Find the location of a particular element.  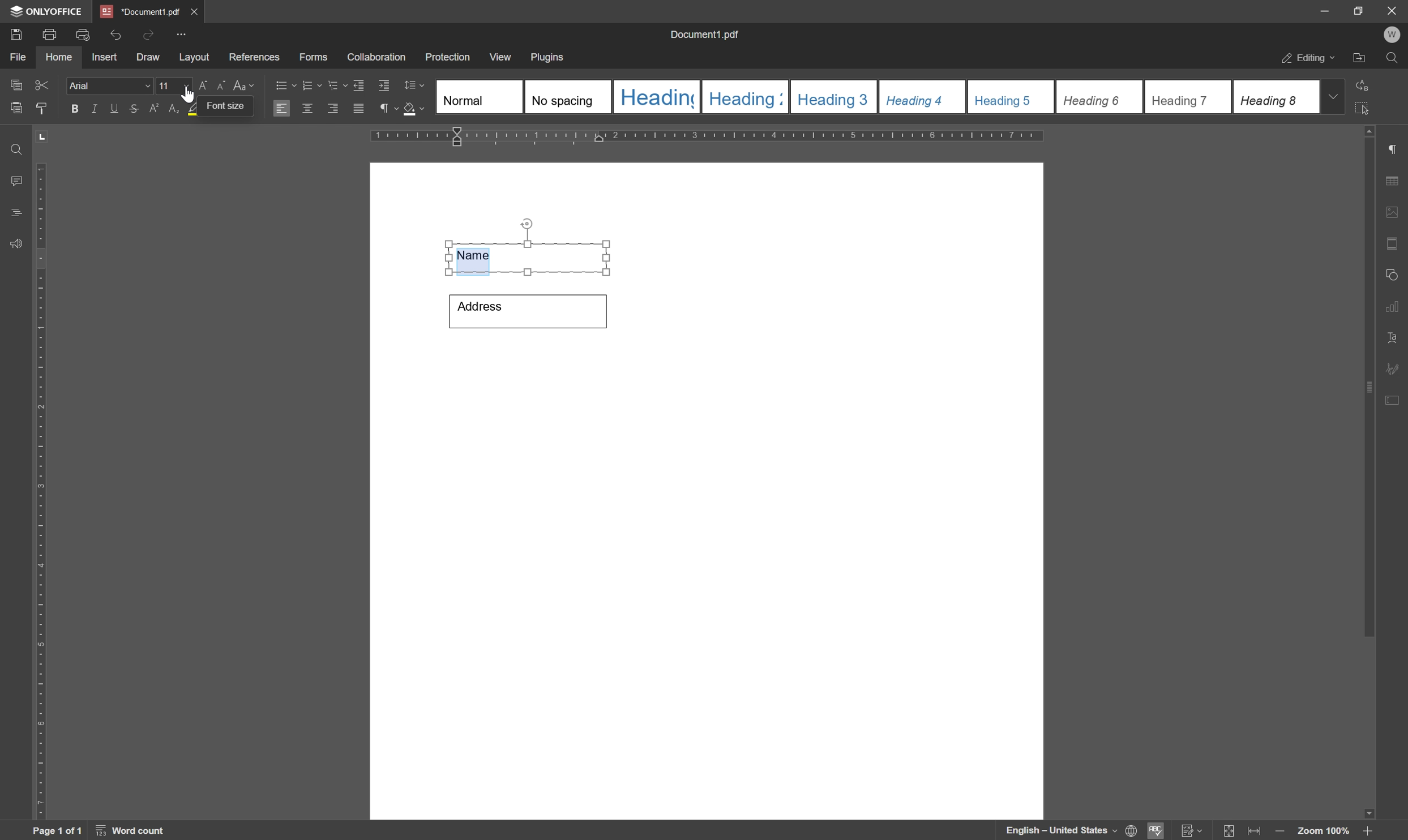

cut is located at coordinates (41, 84).